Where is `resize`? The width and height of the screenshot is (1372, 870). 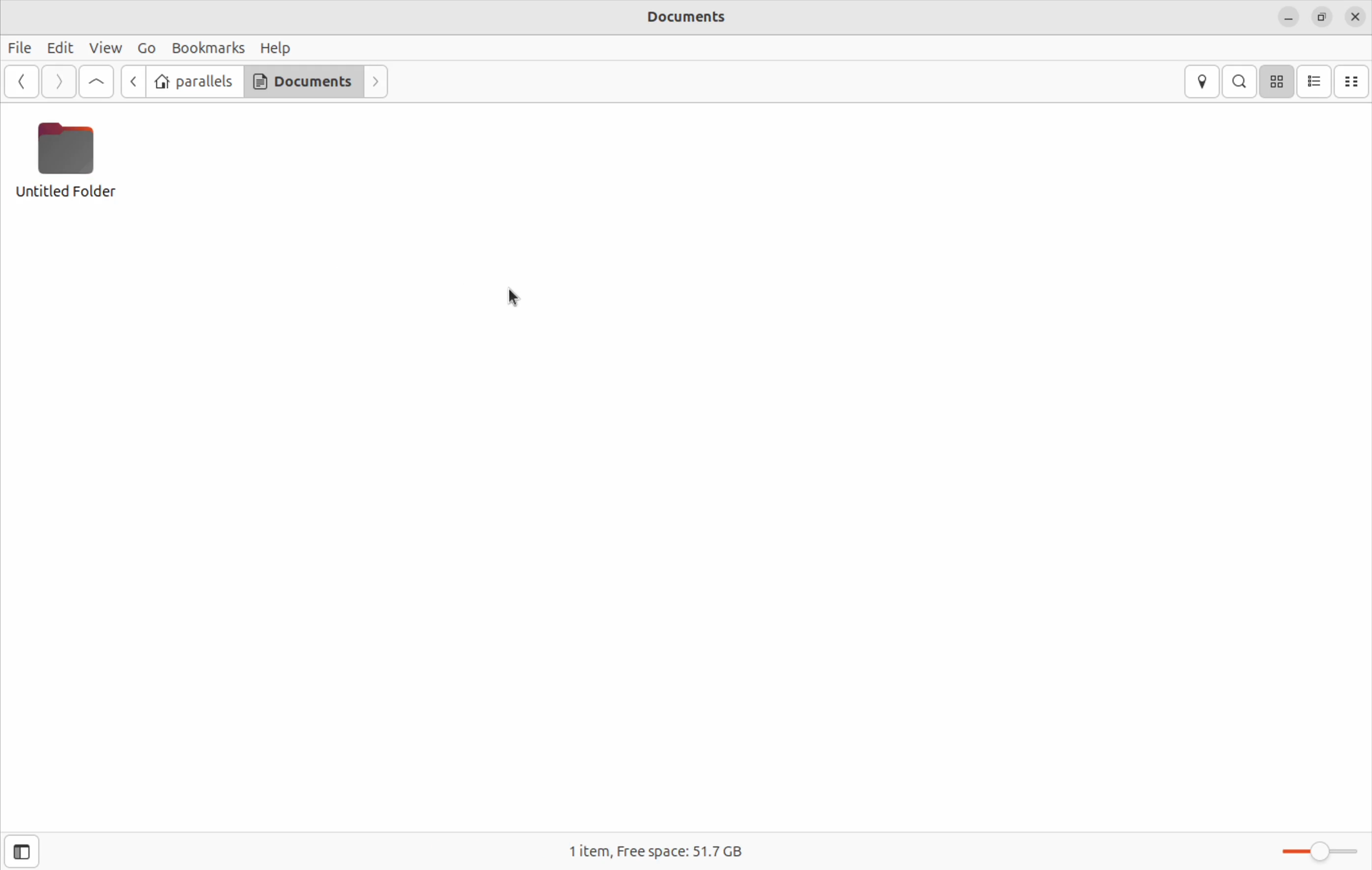 resize is located at coordinates (1322, 18).